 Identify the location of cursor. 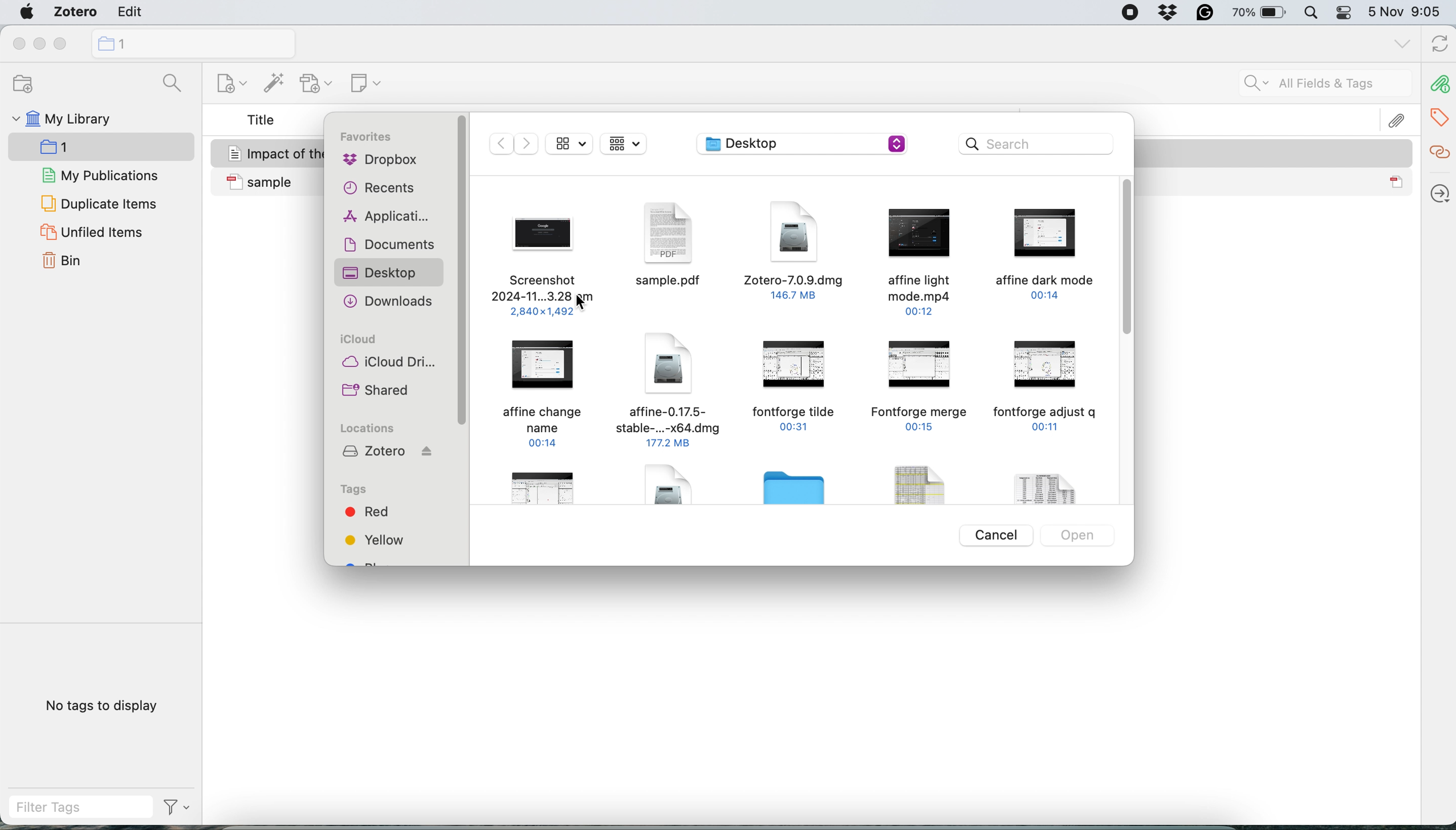
(582, 300).